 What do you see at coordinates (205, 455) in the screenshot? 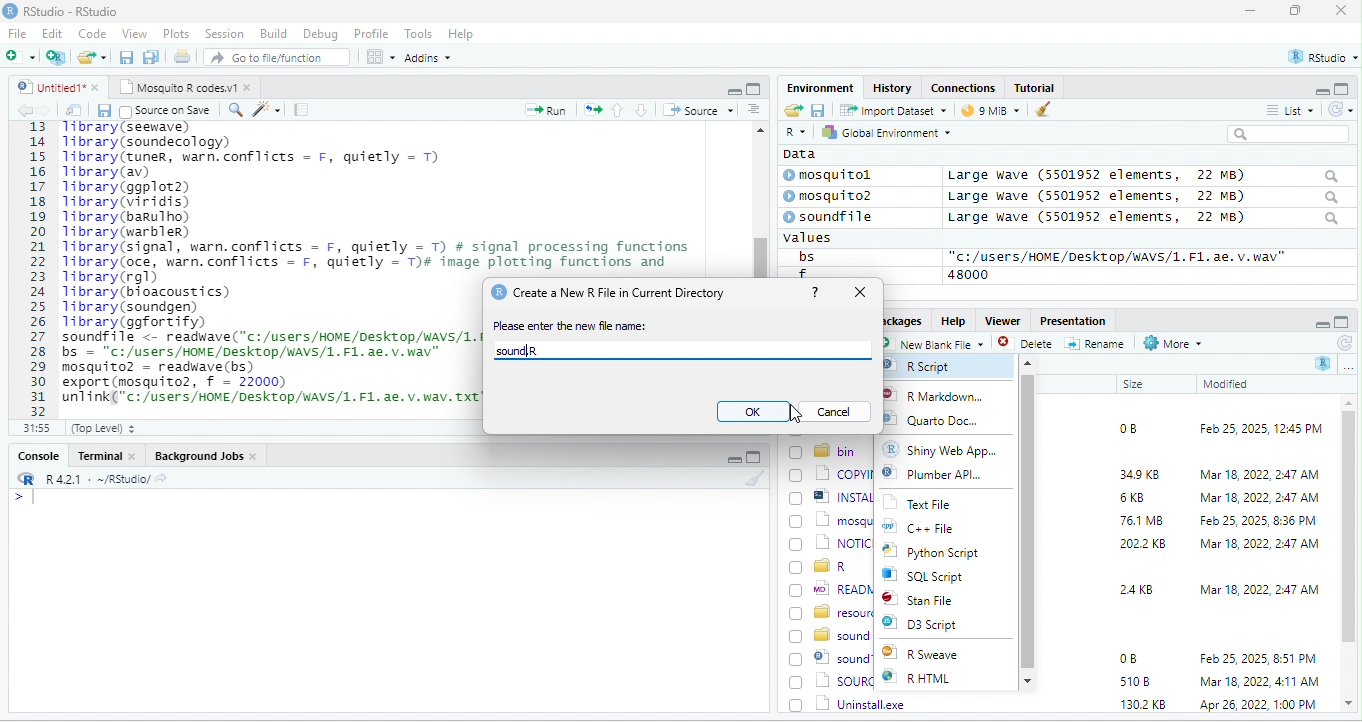
I see `Background Jobs` at bounding box center [205, 455].